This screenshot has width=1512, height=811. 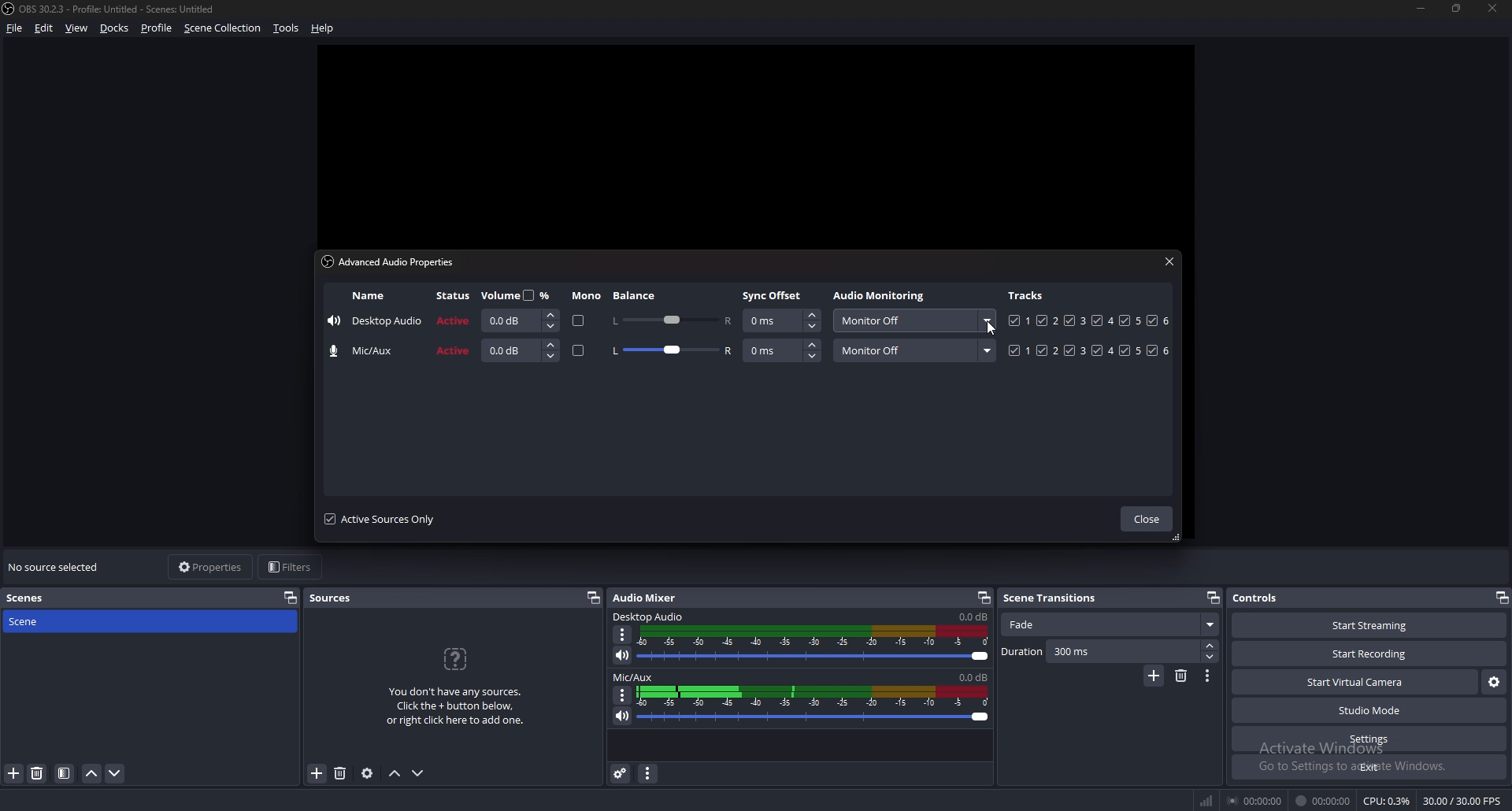 I want to click on desktop audio, so click(x=650, y=617).